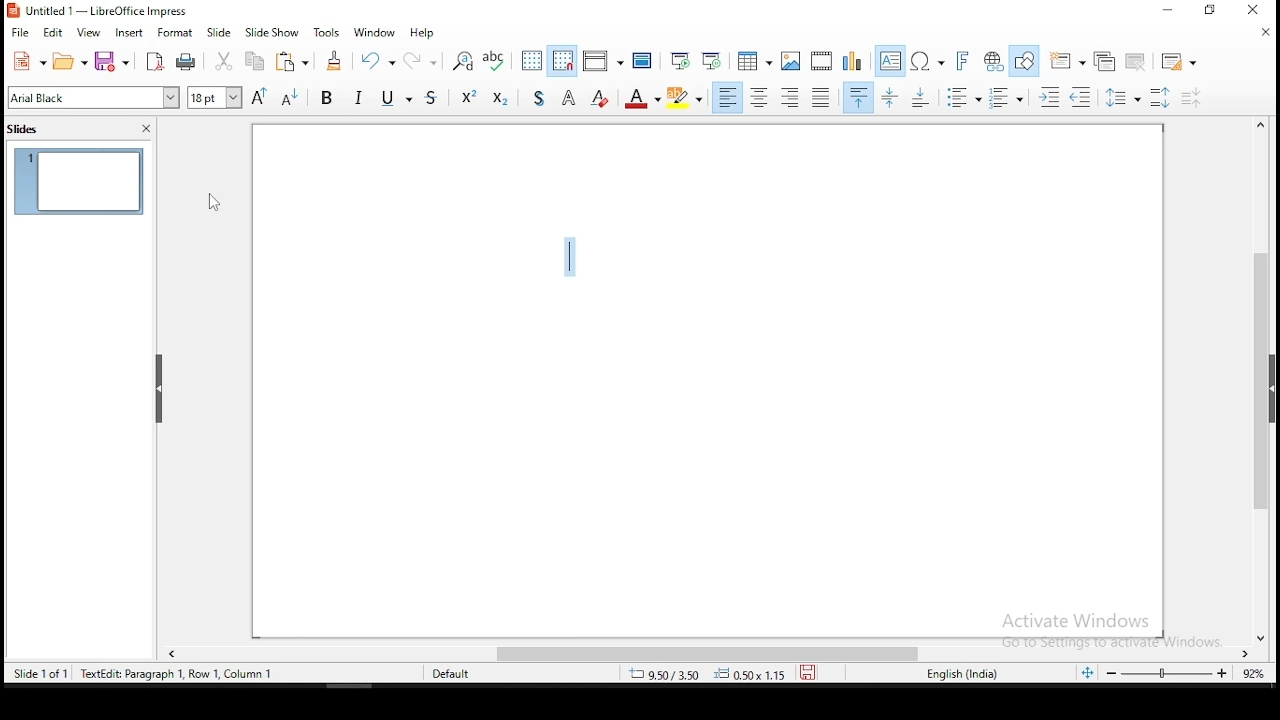 This screenshot has width=1280, height=720. What do you see at coordinates (375, 33) in the screenshot?
I see `window` at bounding box center [375, 33].